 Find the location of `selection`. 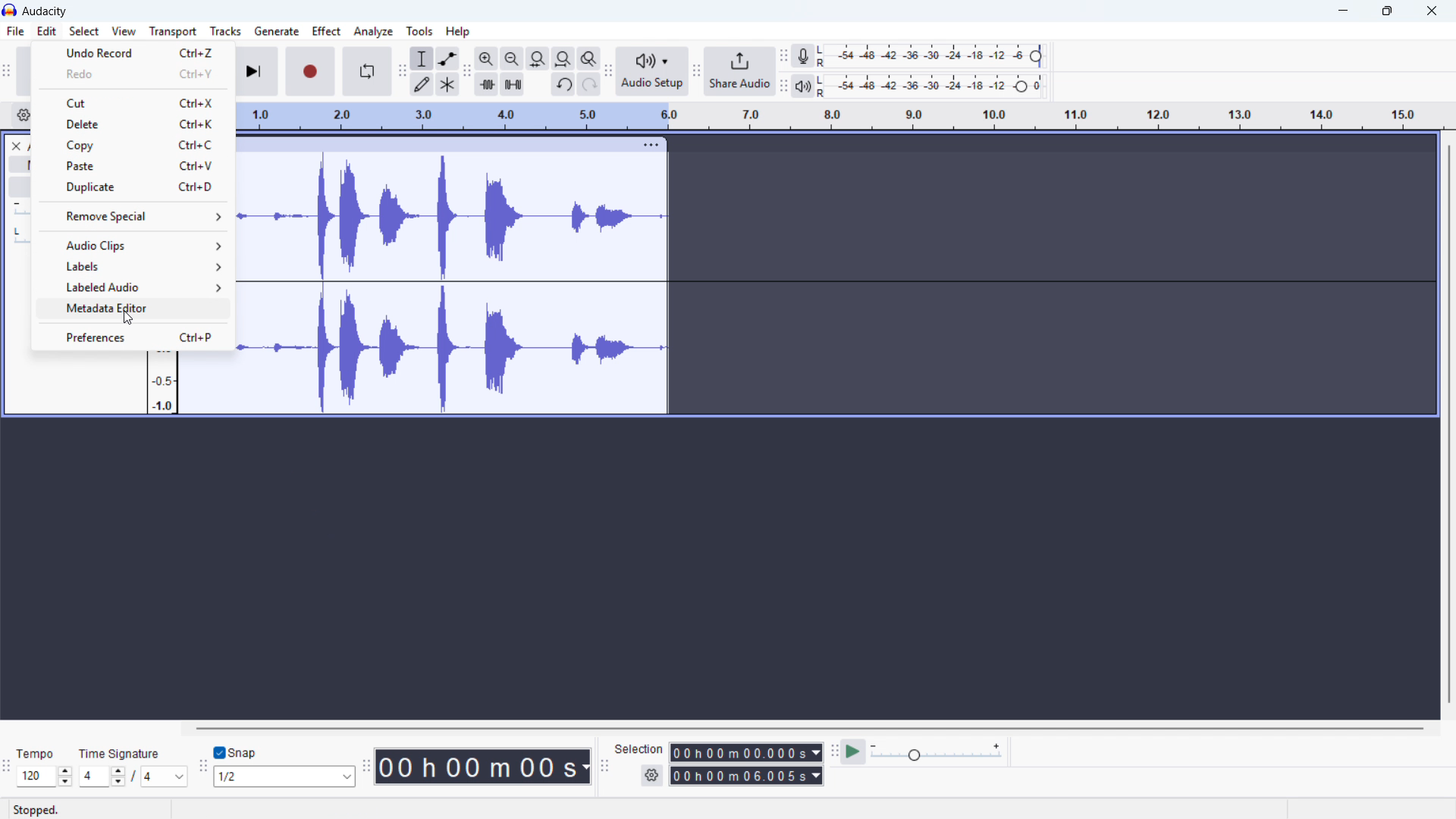

selection is located at coordinates (639, 748).